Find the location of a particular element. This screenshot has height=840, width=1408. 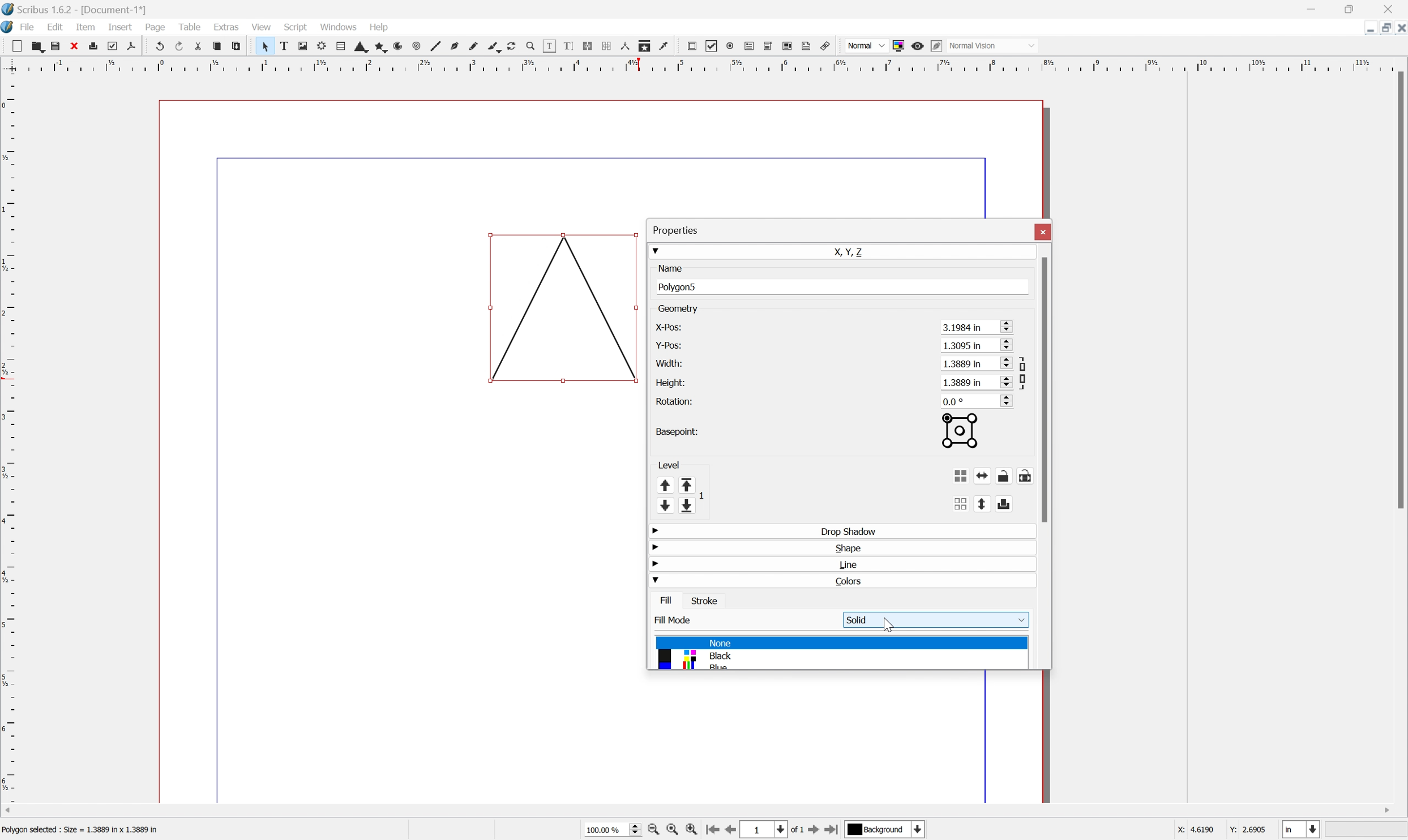

of 1 is located at coordinates (798, 830).